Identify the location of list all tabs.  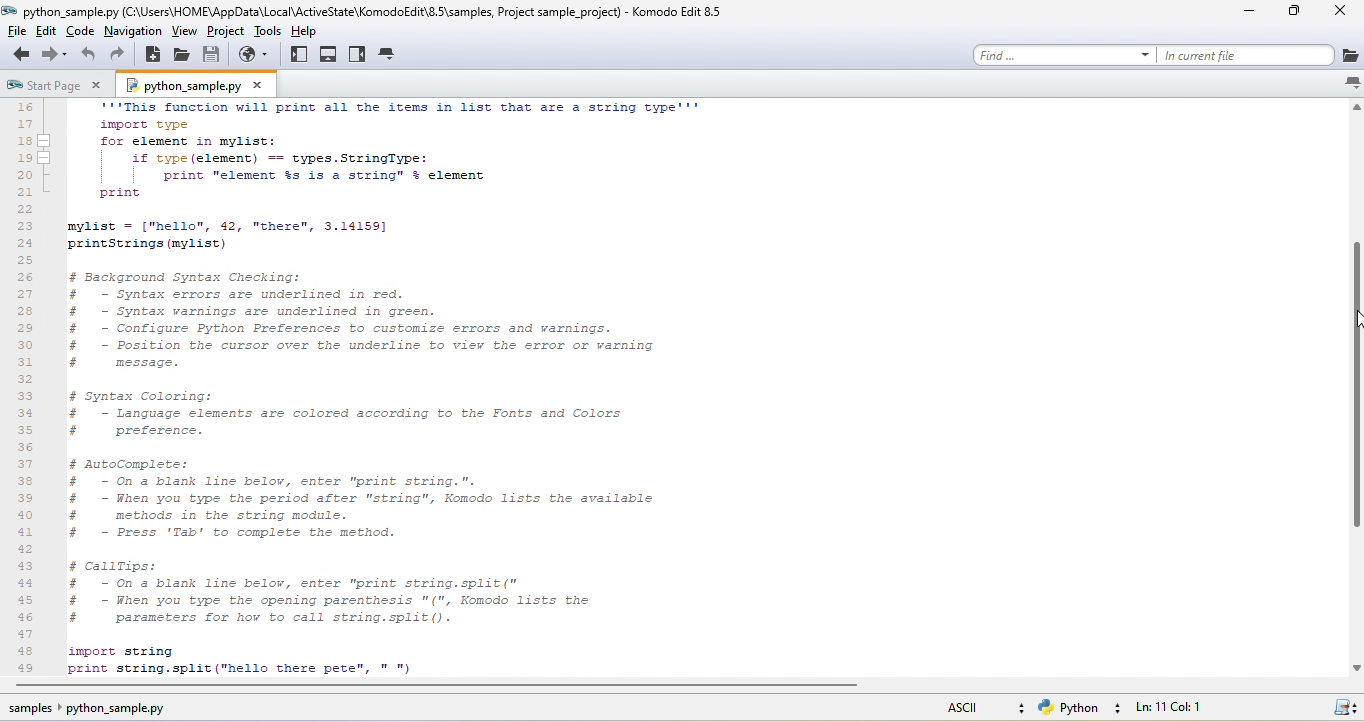
(1351, 83).